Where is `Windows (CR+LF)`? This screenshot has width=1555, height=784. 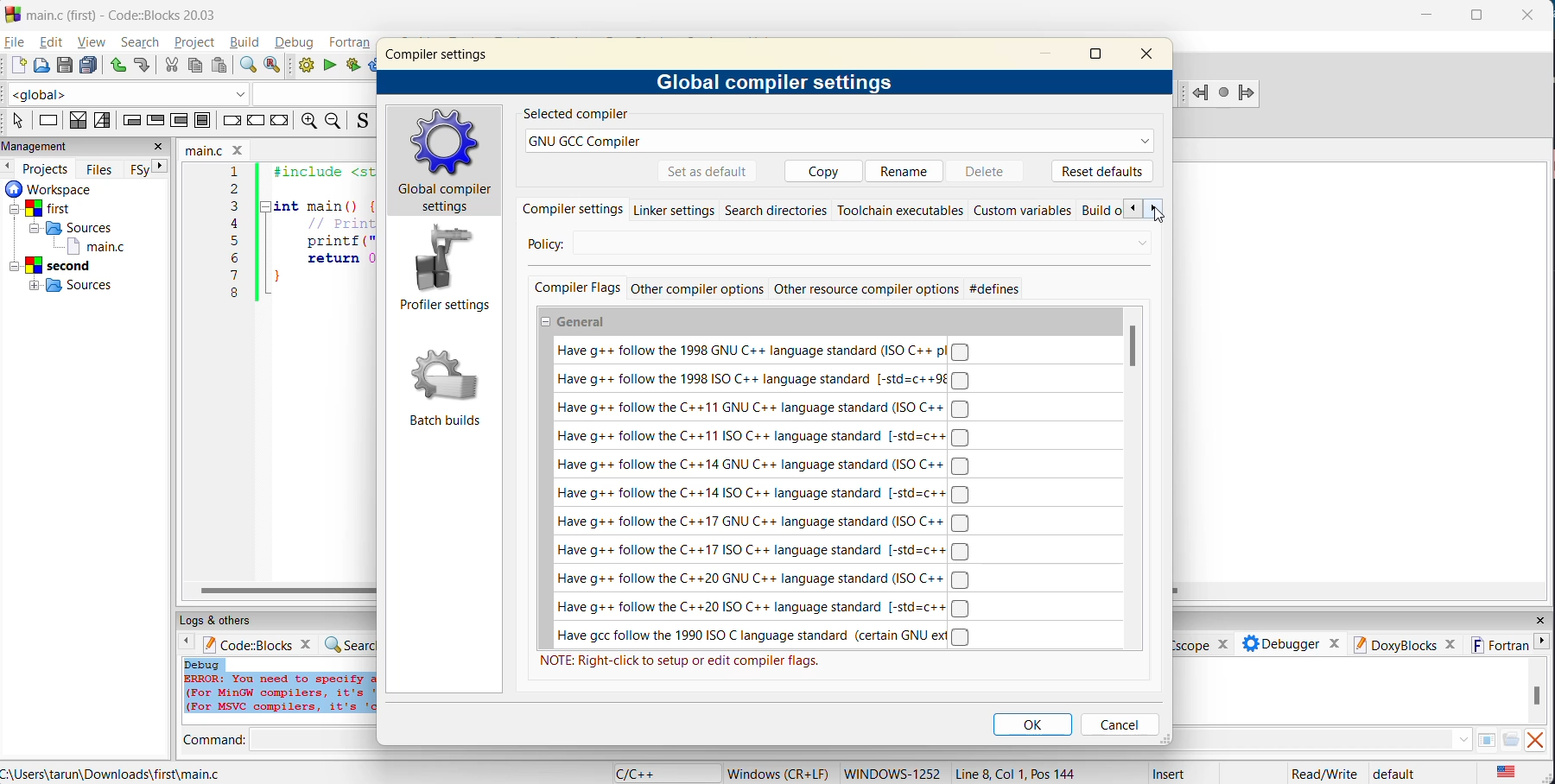
Windows (CR+LF) is located at coordinates (777, 773).